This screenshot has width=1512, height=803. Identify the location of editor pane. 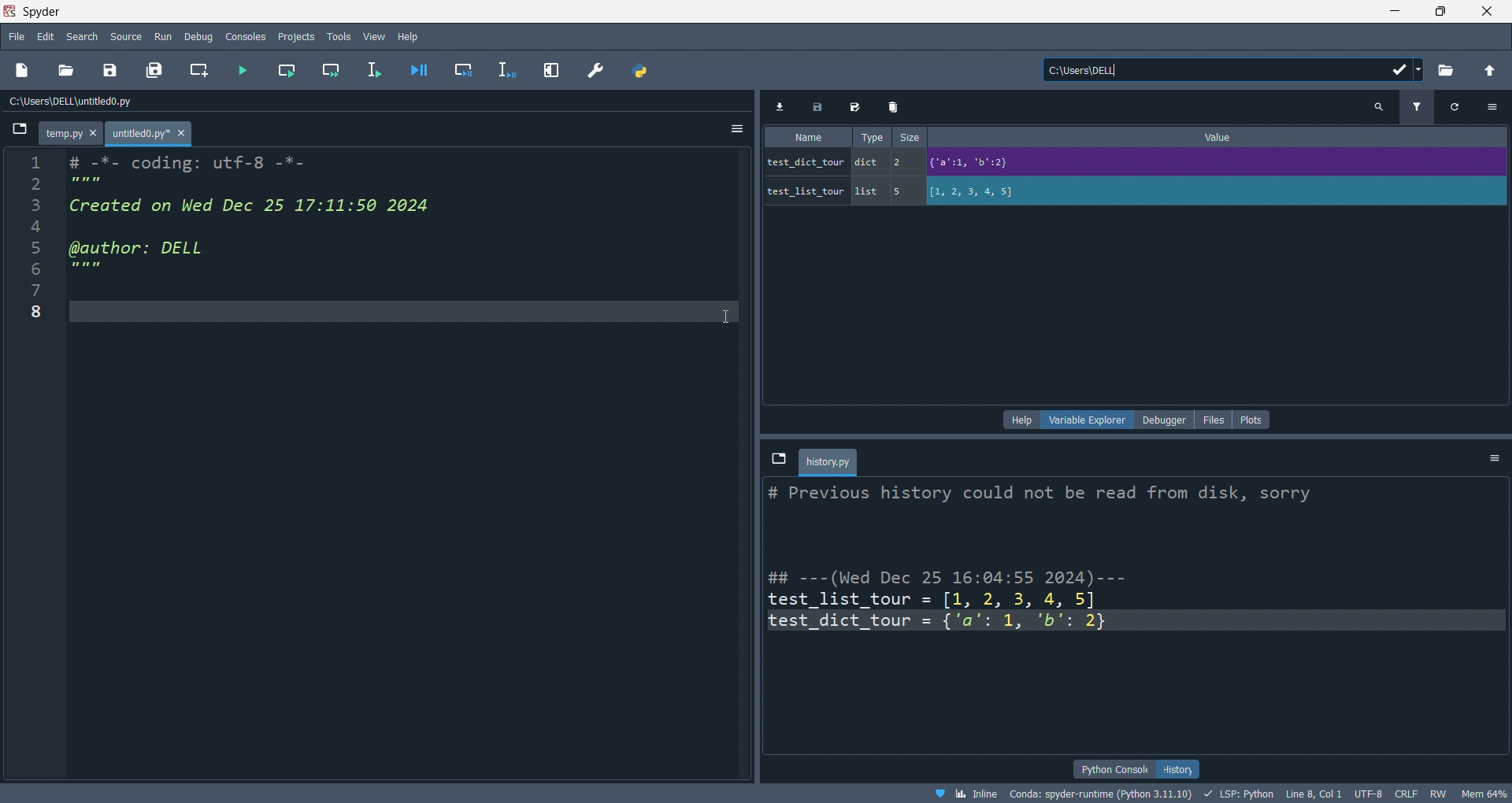
(277, 222).